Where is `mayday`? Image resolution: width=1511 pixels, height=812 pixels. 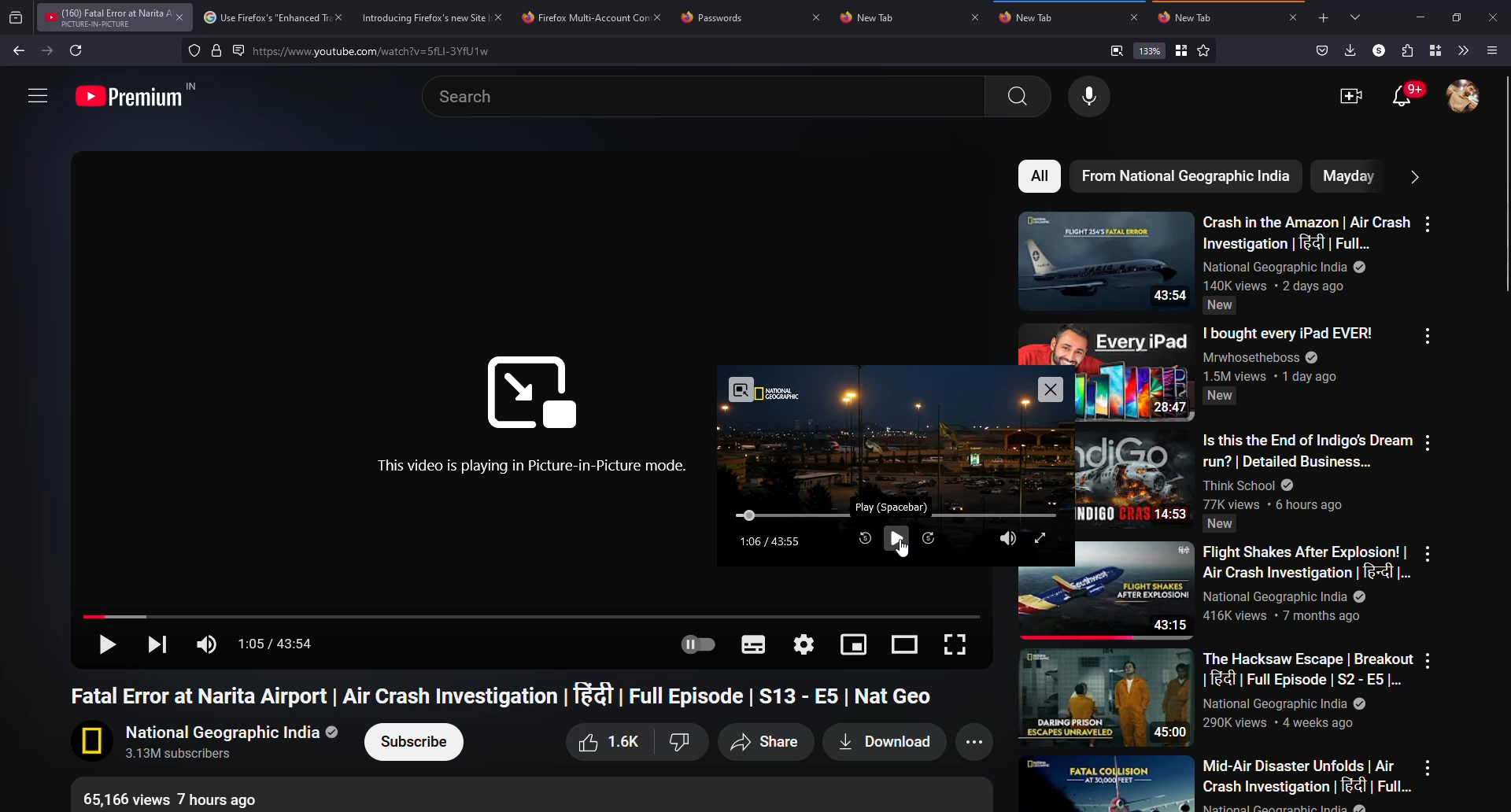
mayday is located at coordinates (1346, 175).